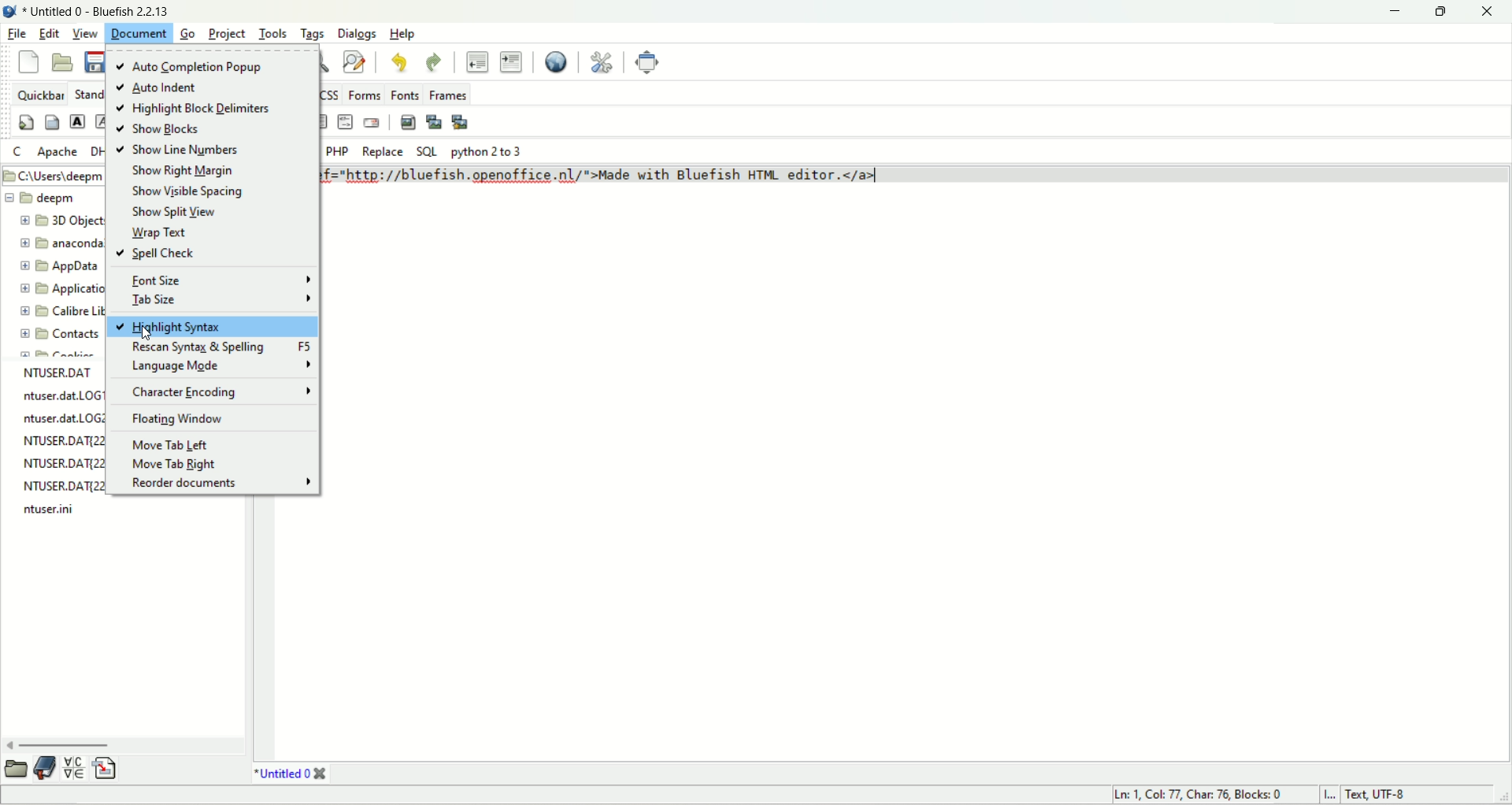 Image resolution: width=1512 pixels, height=805 pixels. I want to click on show visible spacing, so click(185, 191).